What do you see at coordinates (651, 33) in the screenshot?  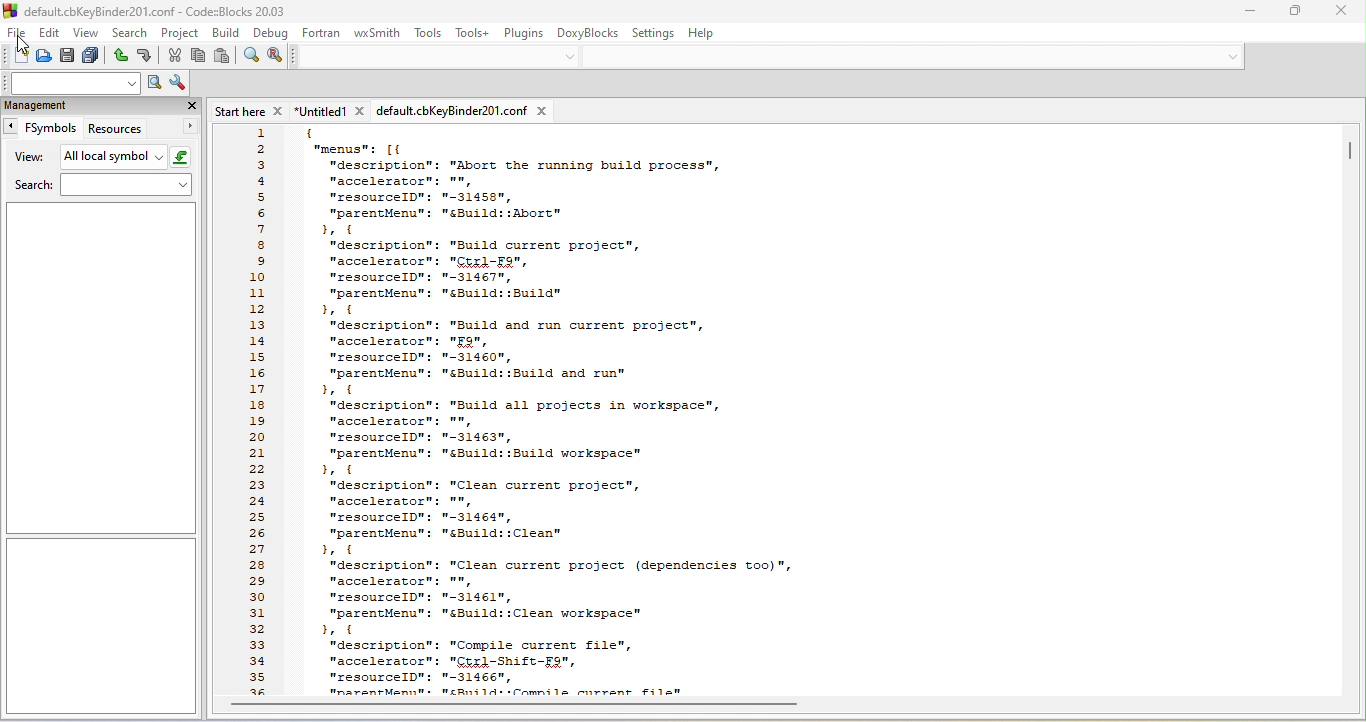 I see `settings` at bounding box center [651, 33].